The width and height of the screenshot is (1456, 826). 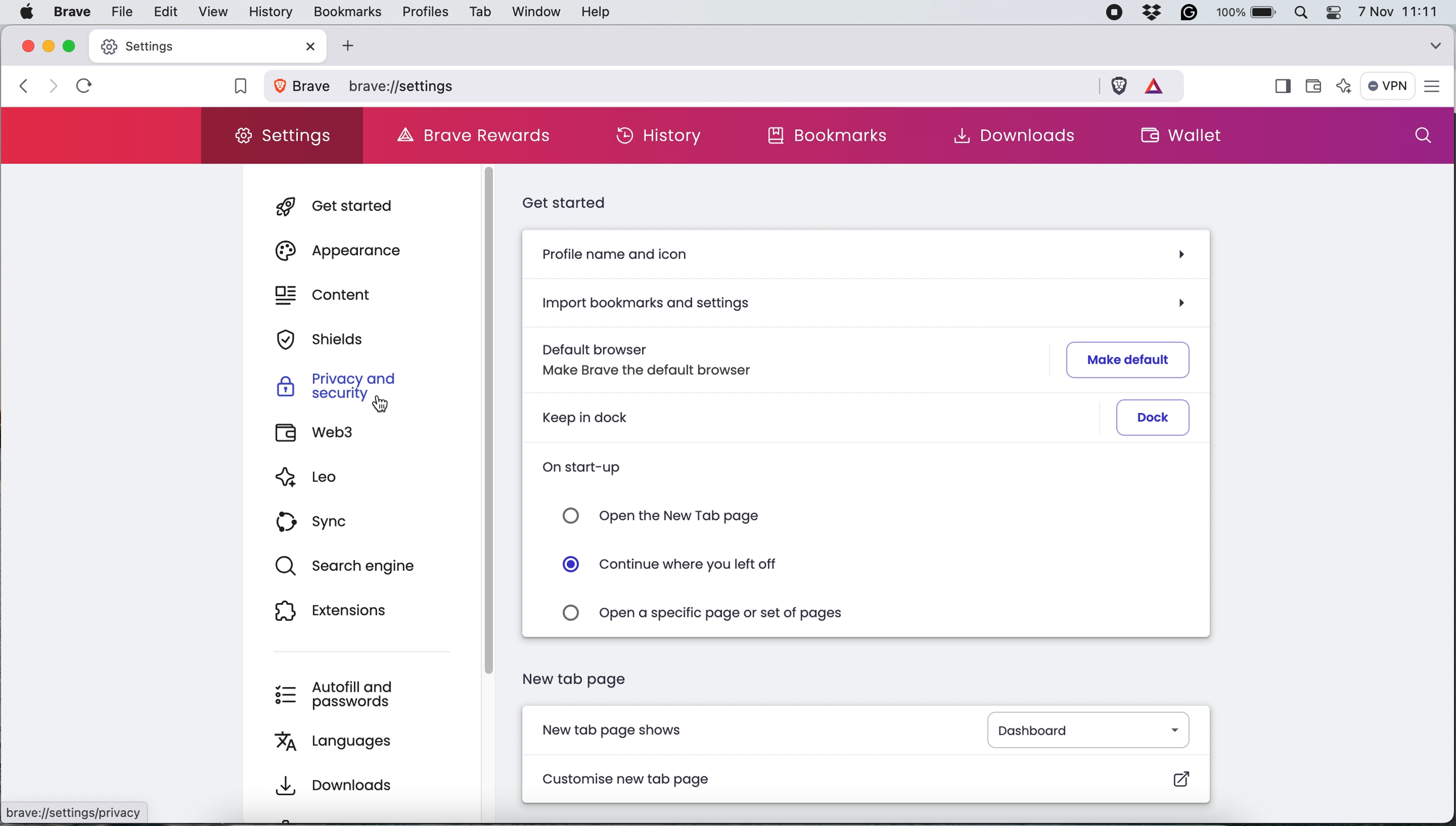 What do you see at coordinates (71, 45) in the screenshot?
I see `maximise` at bounding box center [71, 45].